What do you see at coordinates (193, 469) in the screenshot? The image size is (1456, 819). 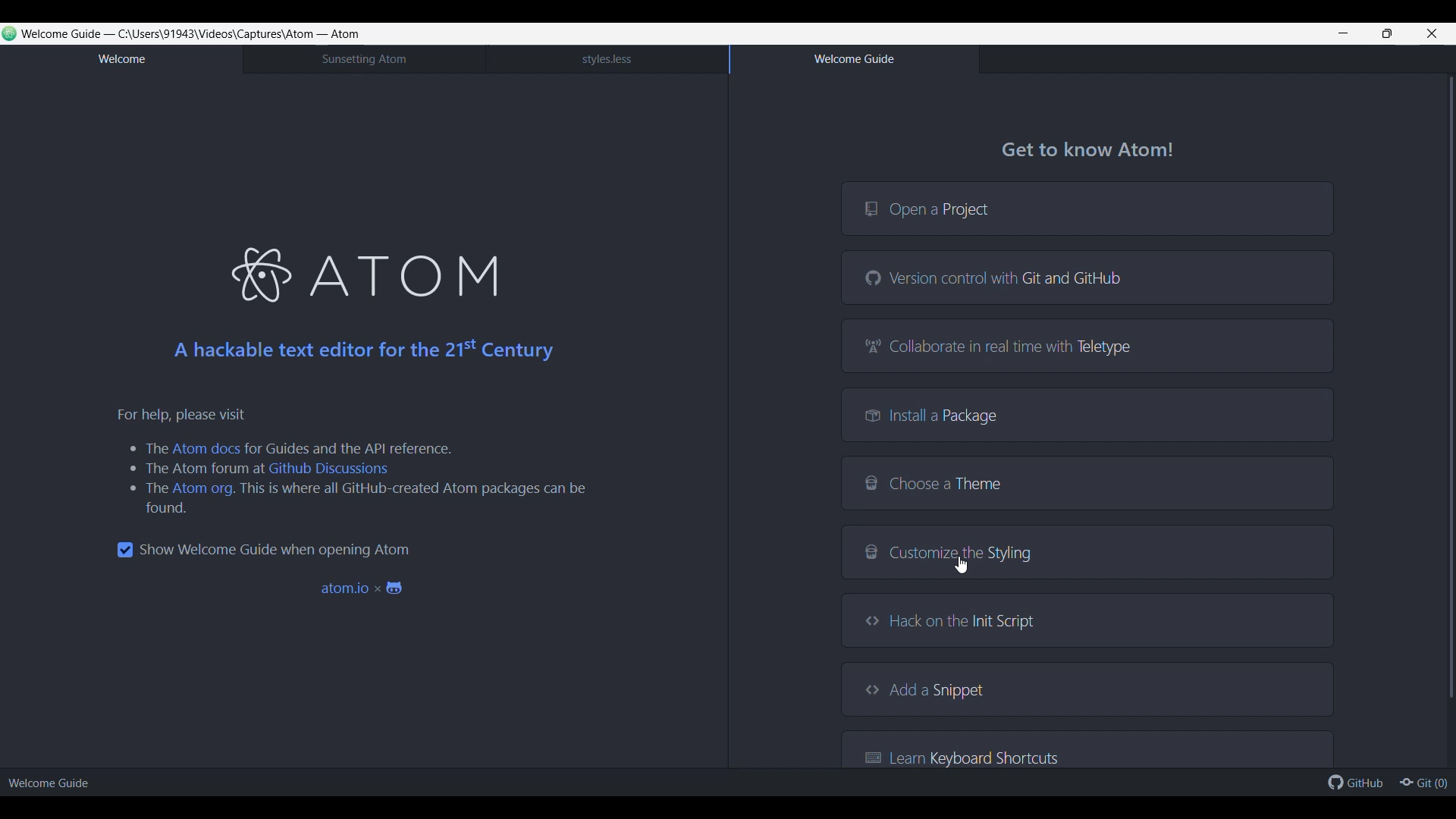 I see `the atom forum` at bounding box center [193, 469].